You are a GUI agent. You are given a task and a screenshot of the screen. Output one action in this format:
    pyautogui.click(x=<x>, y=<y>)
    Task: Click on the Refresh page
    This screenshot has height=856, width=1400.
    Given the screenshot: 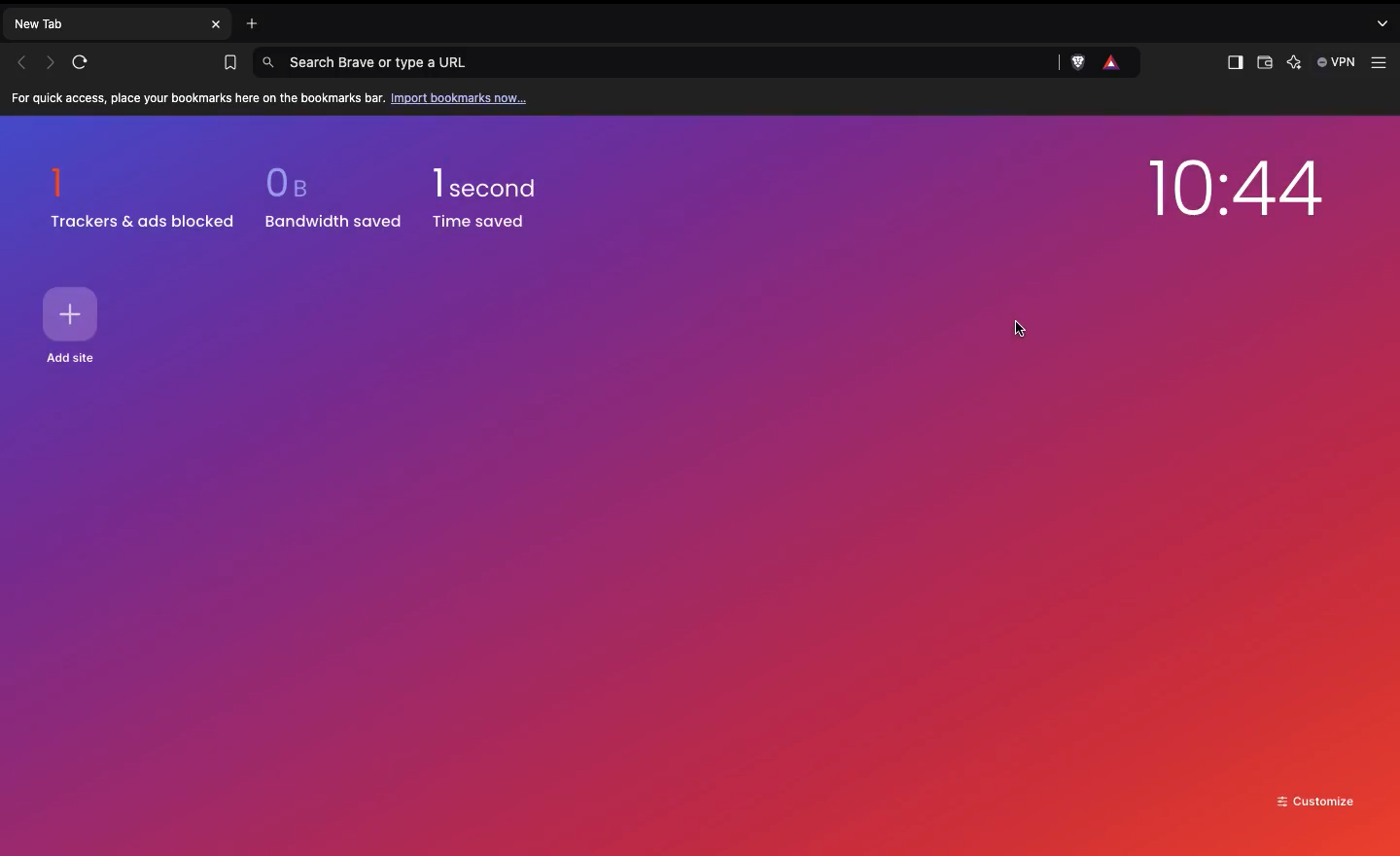 What is the action you would take?
    pyautogui.click(x=87, y=62)
    